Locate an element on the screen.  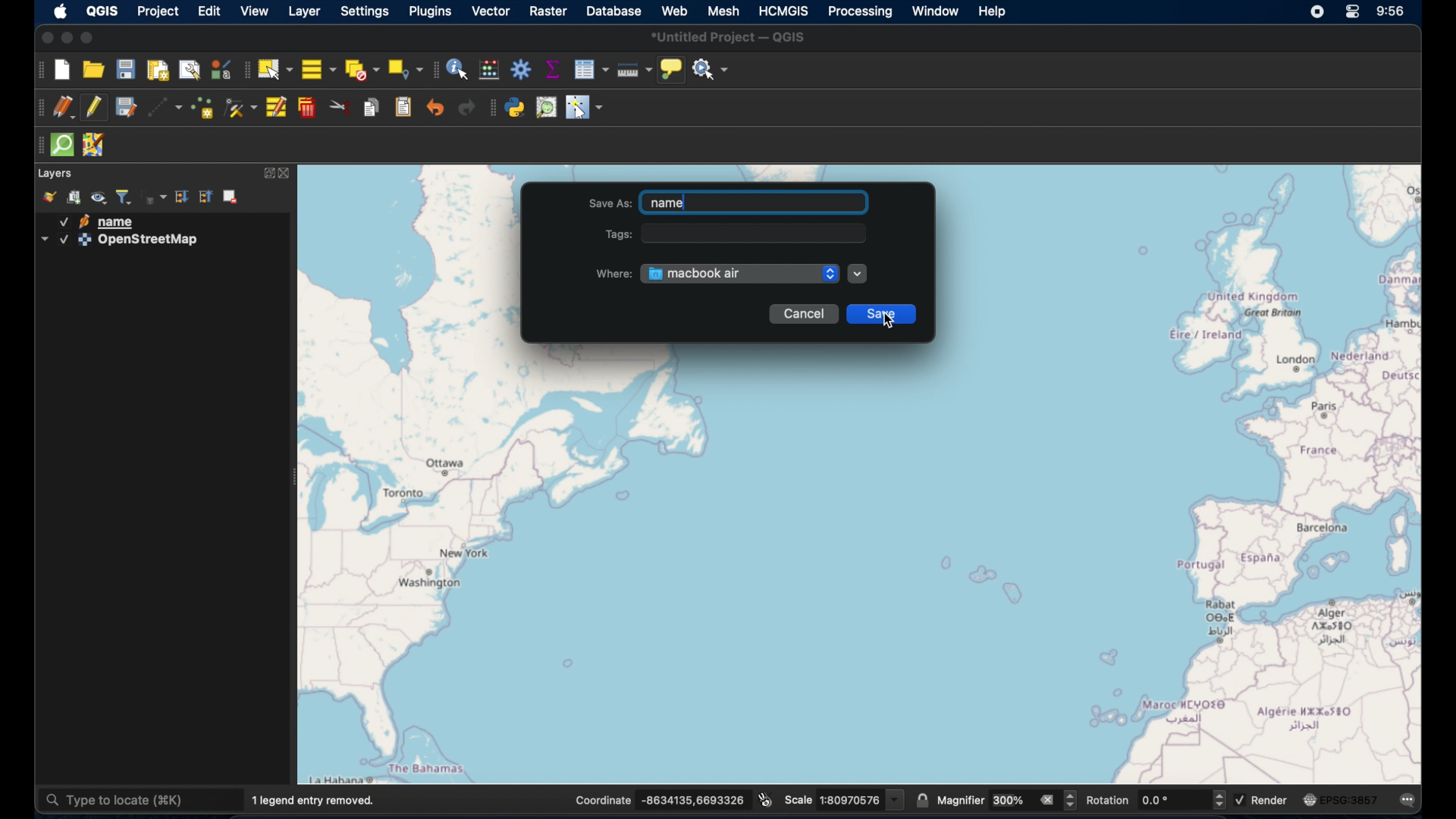
raster is located at coordinates (548, 11).